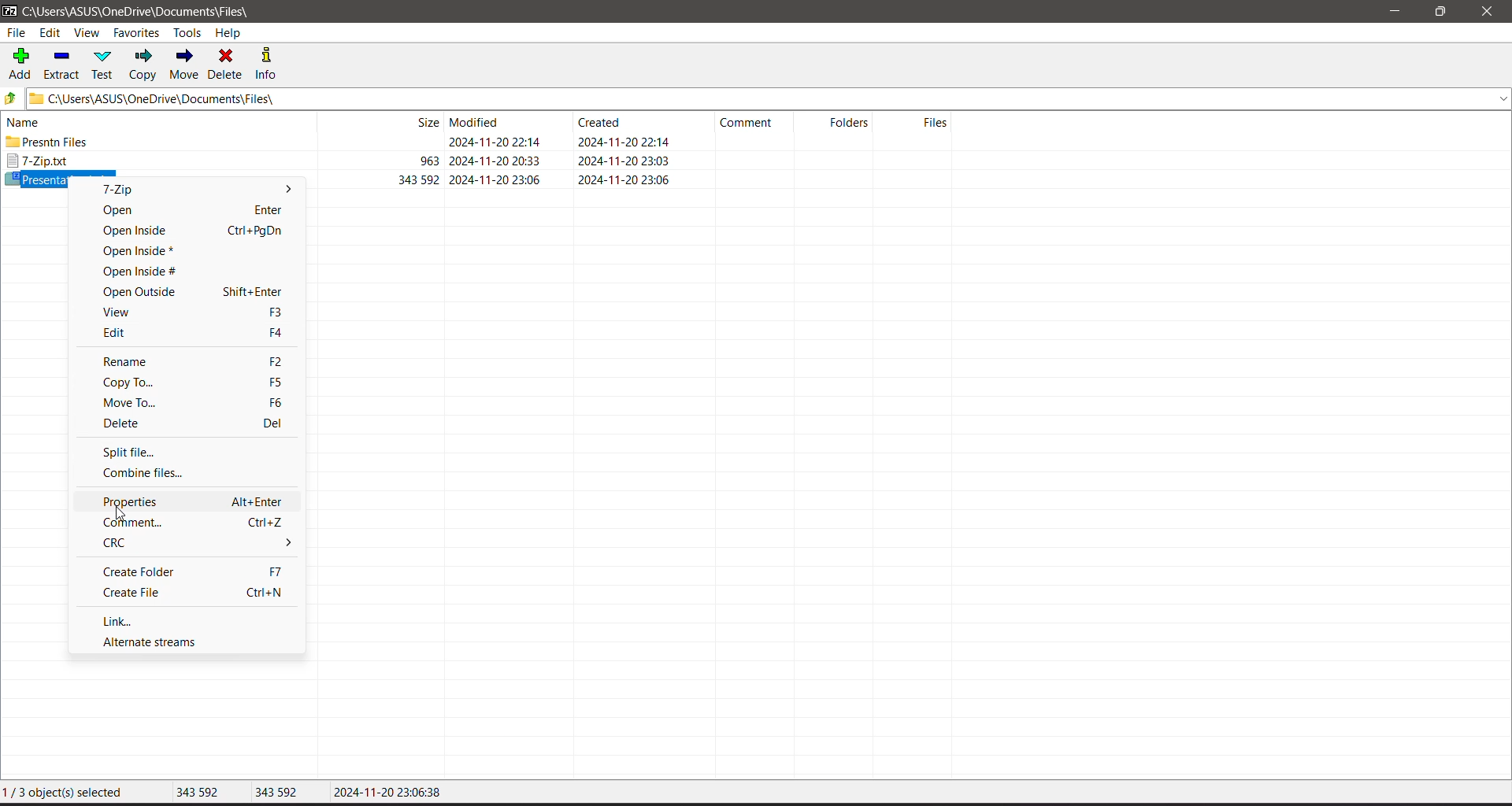  I want to click on Combine files, so click(154, 473).